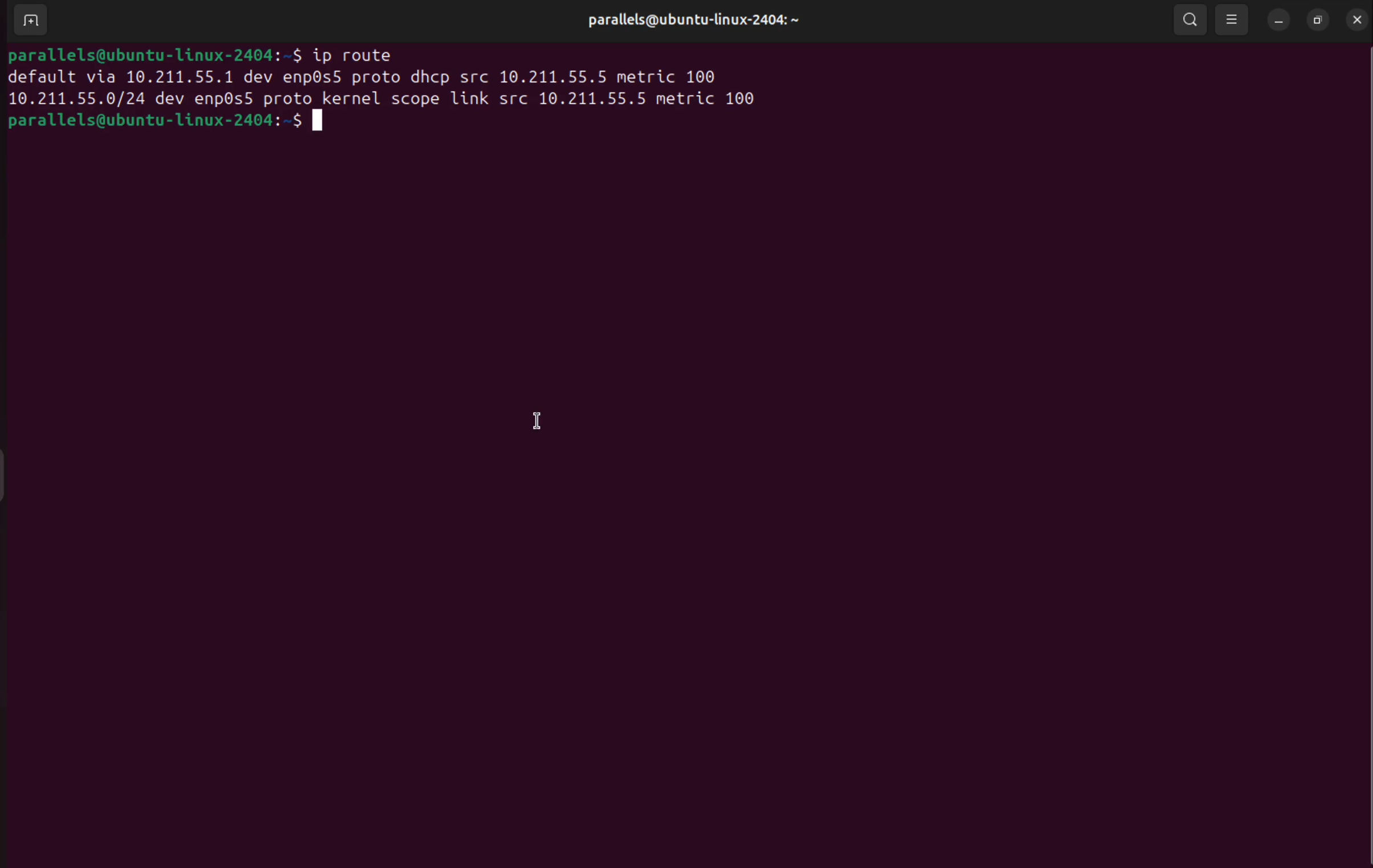  What do you see at coordinates (1318, 19) in the screenshot?
I see `resize` at bounding box center [1318, 19].